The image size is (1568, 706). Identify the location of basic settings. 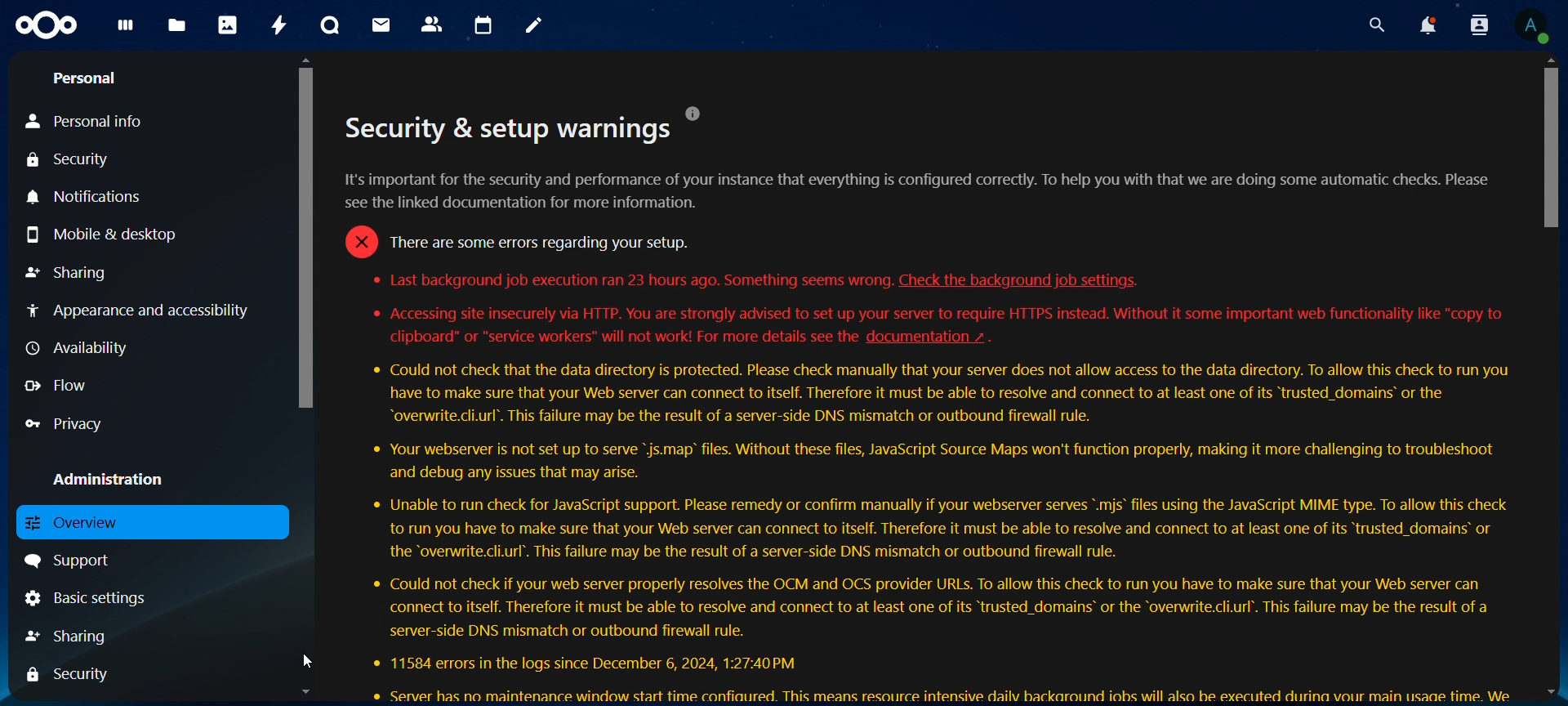
(107, 598).